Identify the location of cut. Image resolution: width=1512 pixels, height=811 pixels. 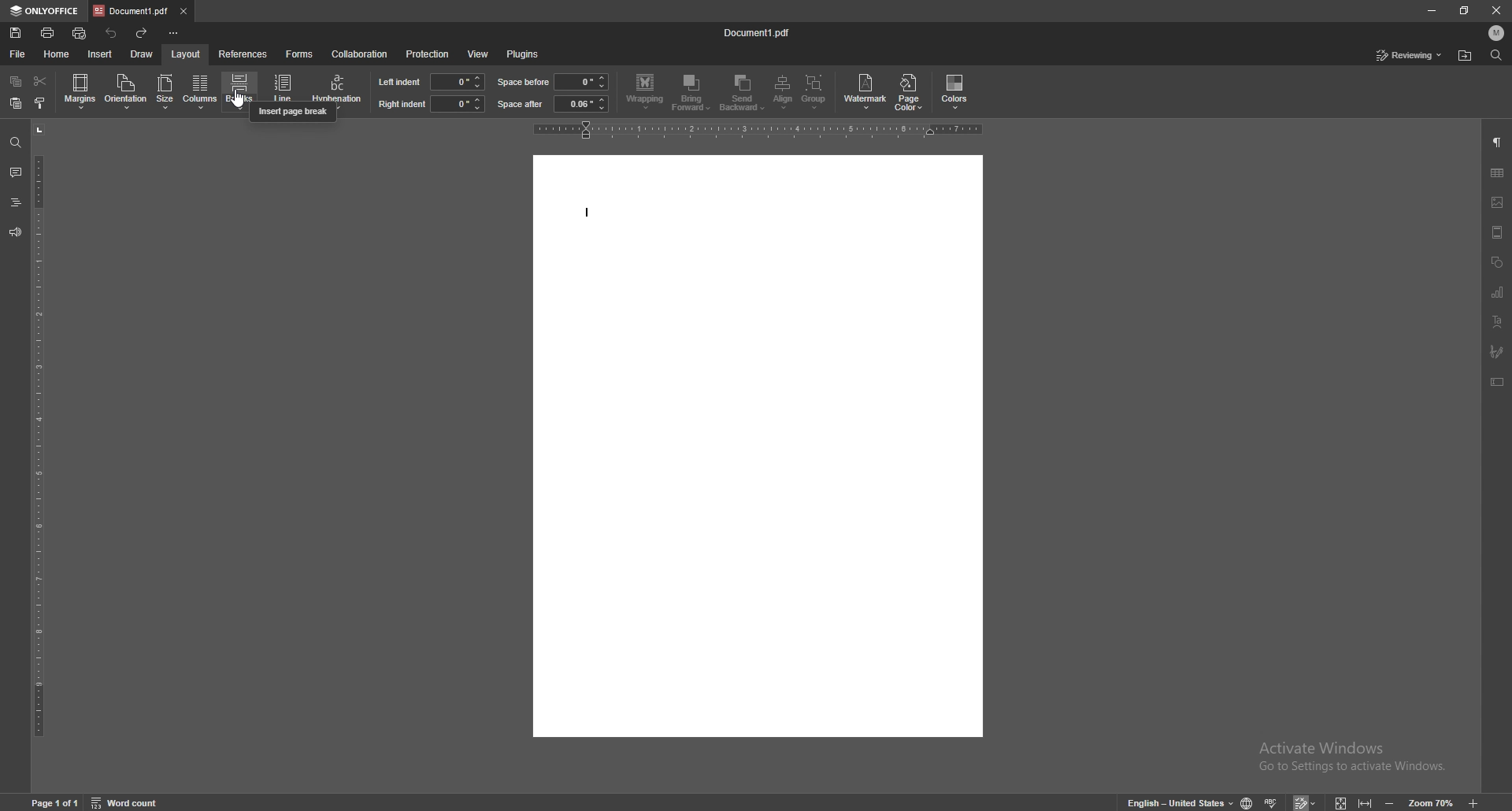
(40, 81).